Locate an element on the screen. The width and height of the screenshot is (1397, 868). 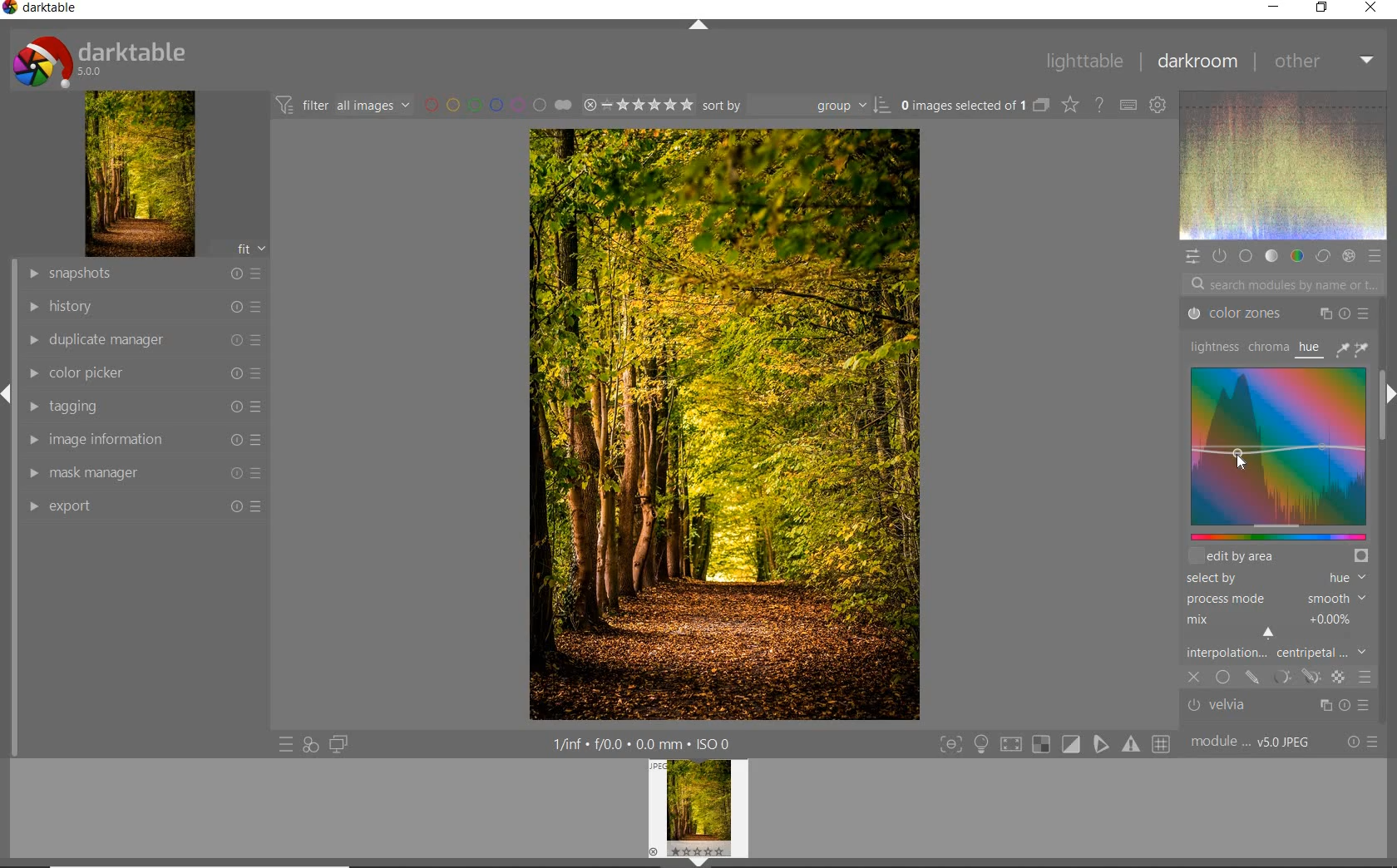
COLOR is located at coordinates (1299, 256).